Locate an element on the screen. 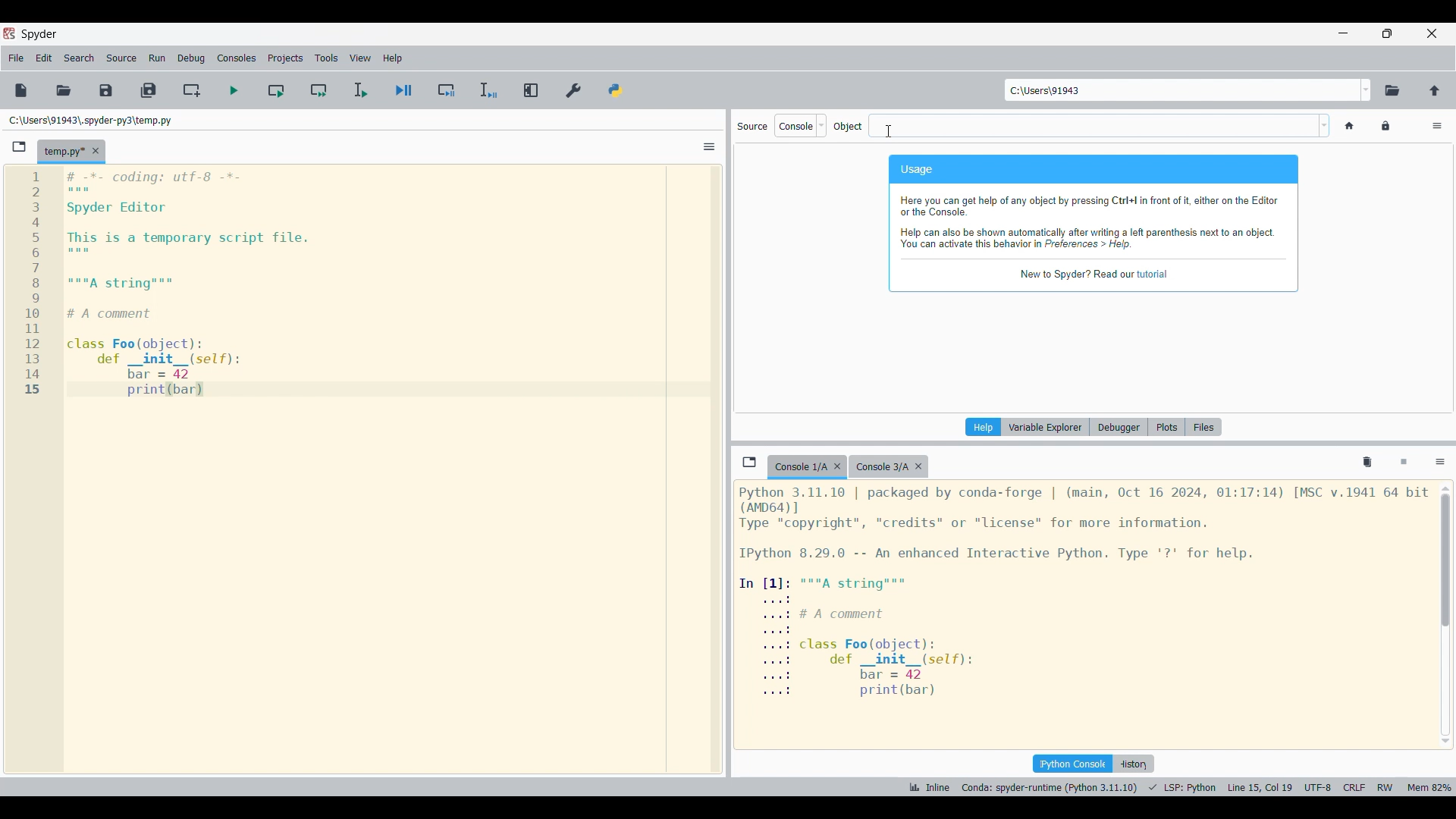  Current tab is located at coordinates (62, 152).